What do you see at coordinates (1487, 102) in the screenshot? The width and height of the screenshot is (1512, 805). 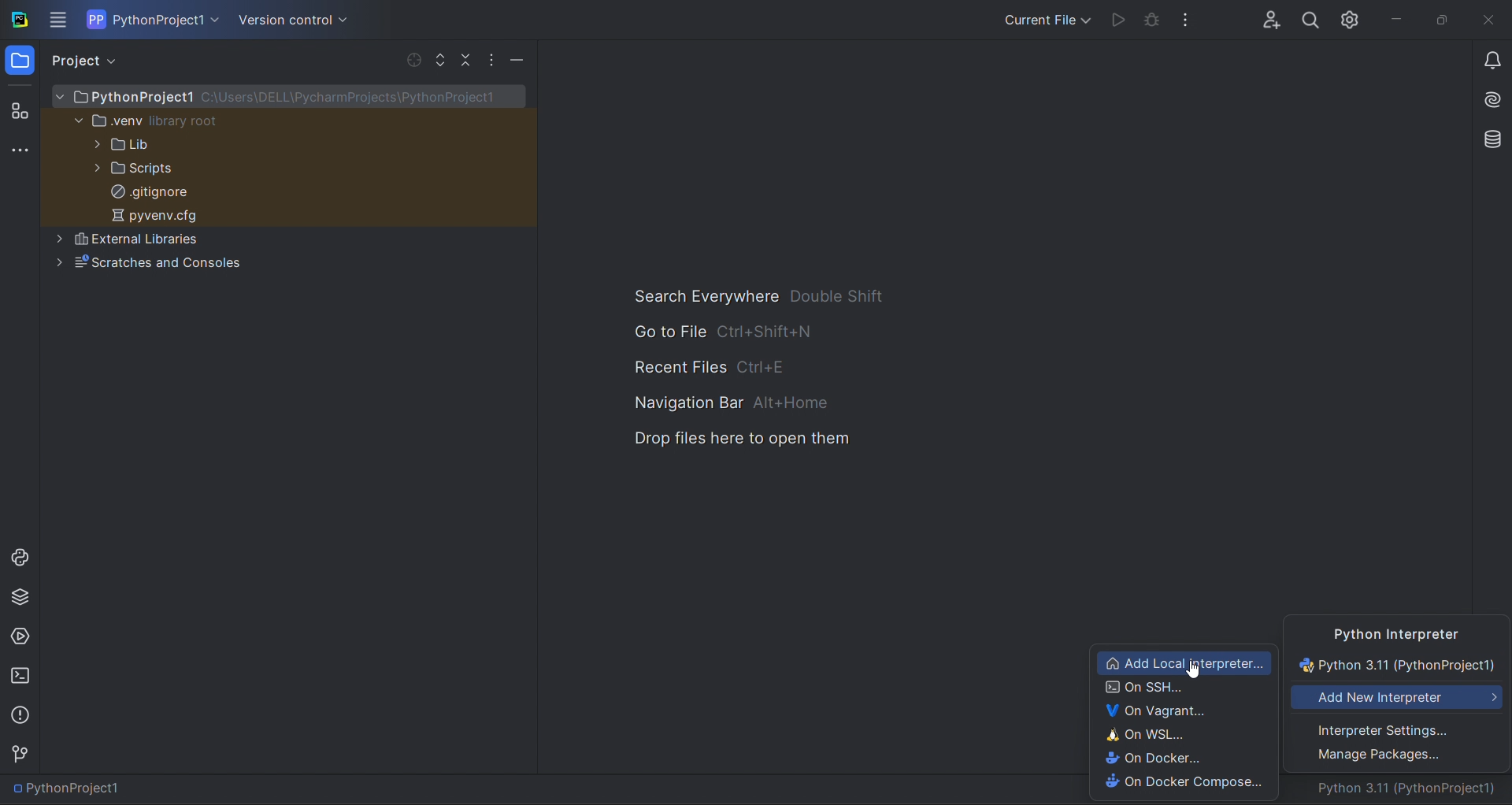 I see `ai assistant` at bounding box center [1487, 102].